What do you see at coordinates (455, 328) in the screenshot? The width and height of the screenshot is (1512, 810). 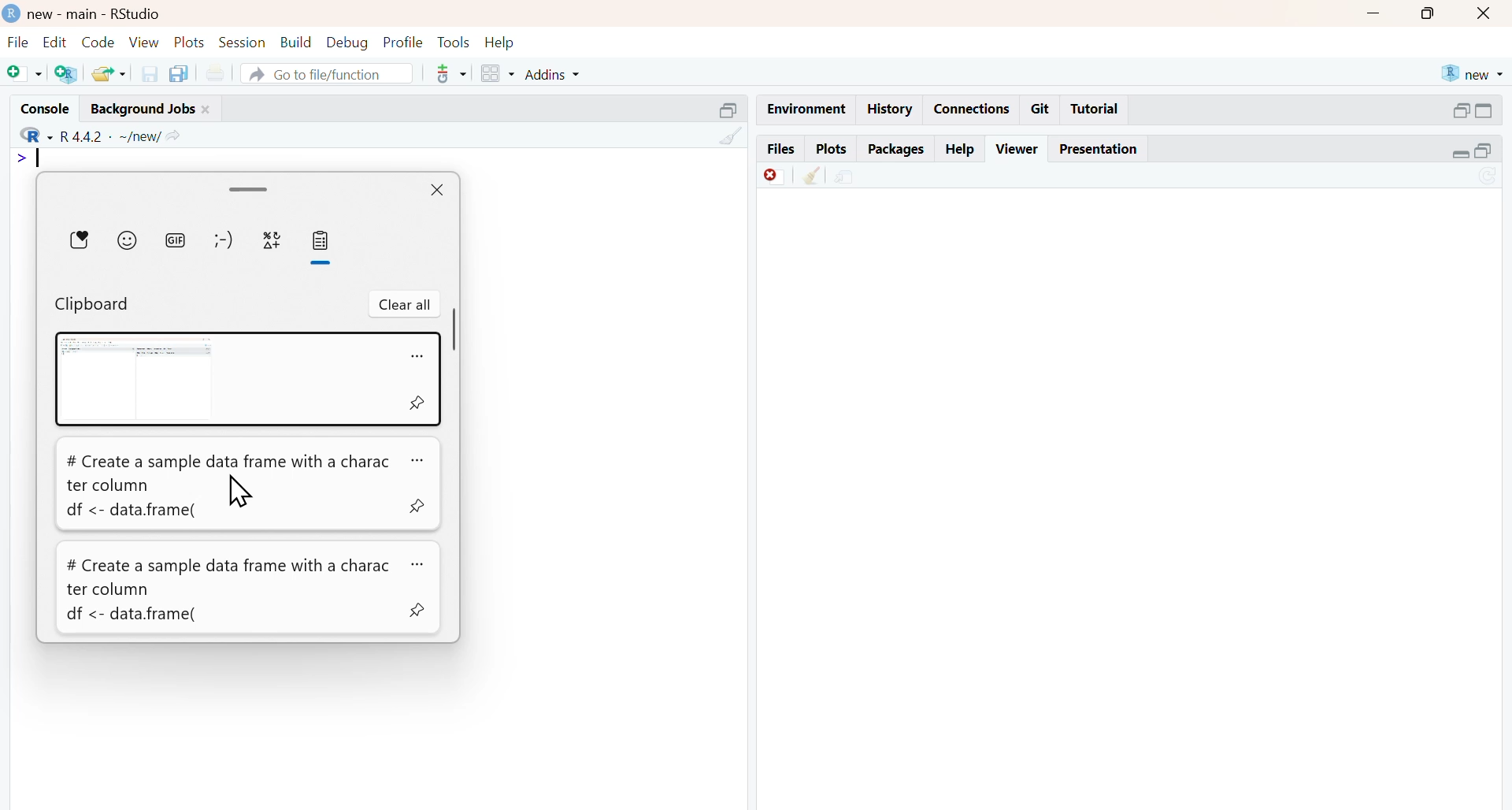 I see `scrollbar` at bounding box center [455, 328].